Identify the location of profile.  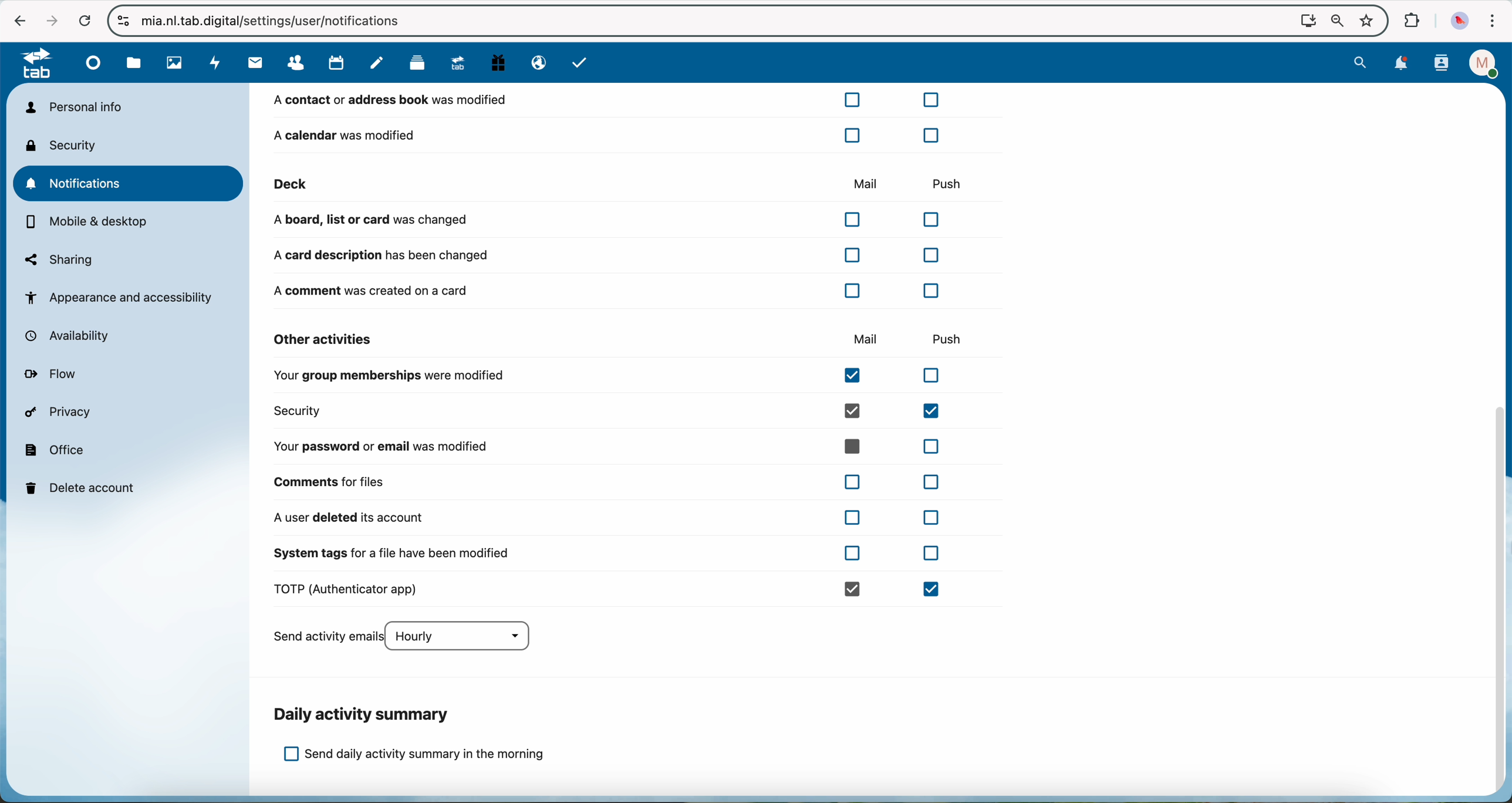
(1480, 63).